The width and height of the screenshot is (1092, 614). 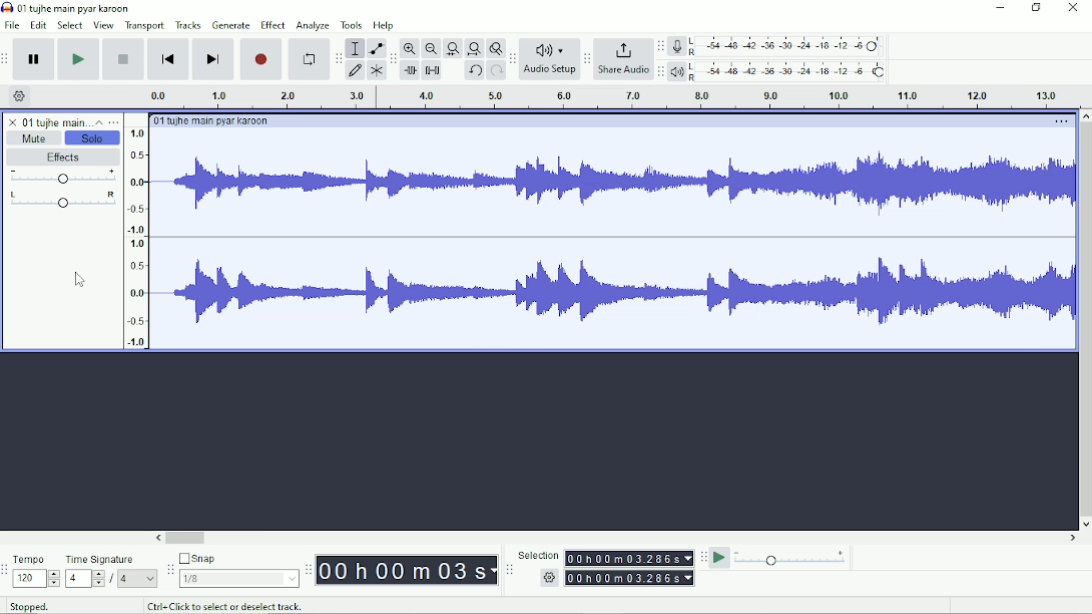 What do you see at coordinates (31, 606) in the screenshot?
I see `Stopped` at bounding box center [31, 606].